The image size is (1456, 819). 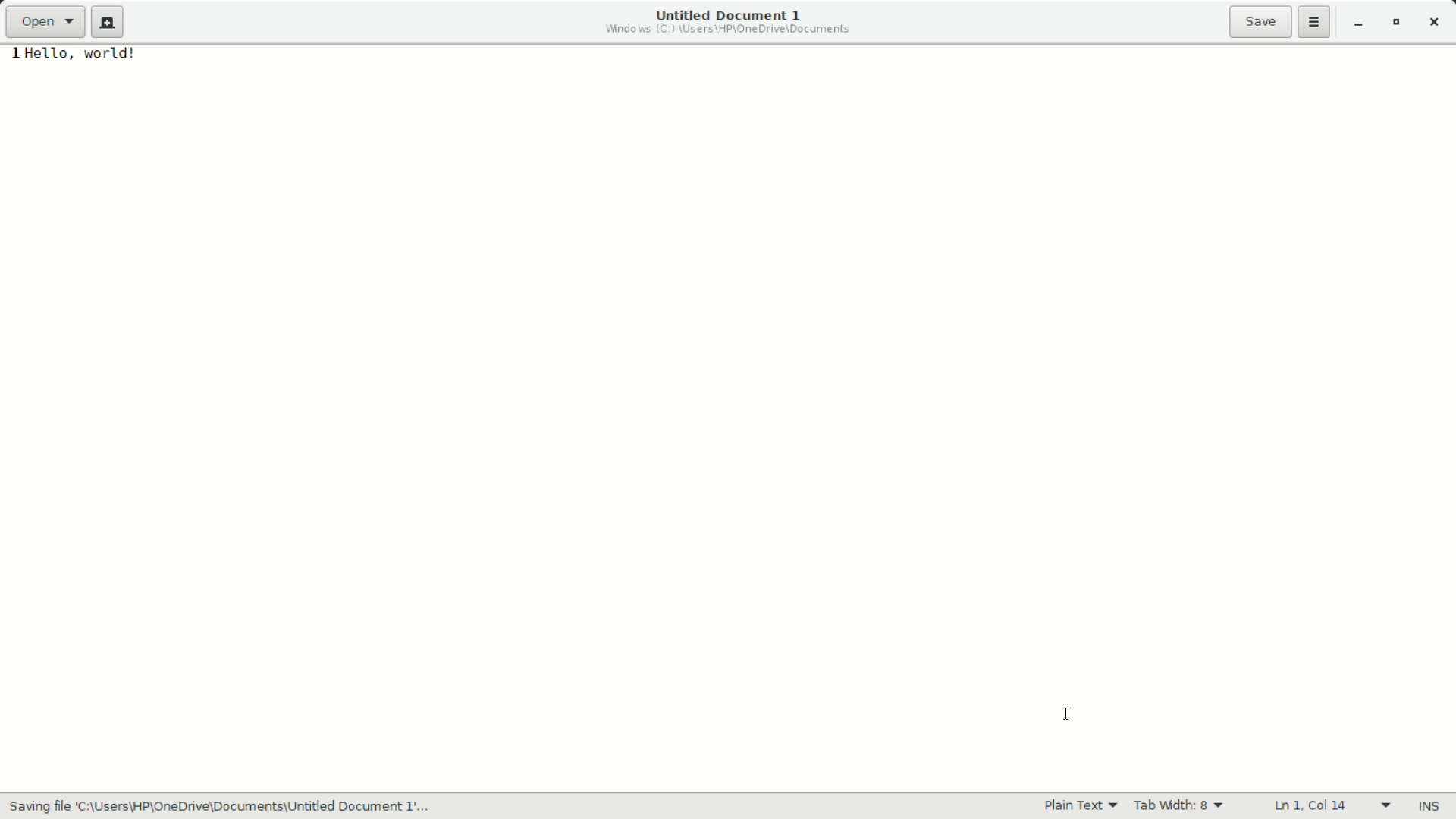 What do you see at coordinates (1332, 804) in the screenshot?
I see `line and columns` at bounding box center [1332, 804].